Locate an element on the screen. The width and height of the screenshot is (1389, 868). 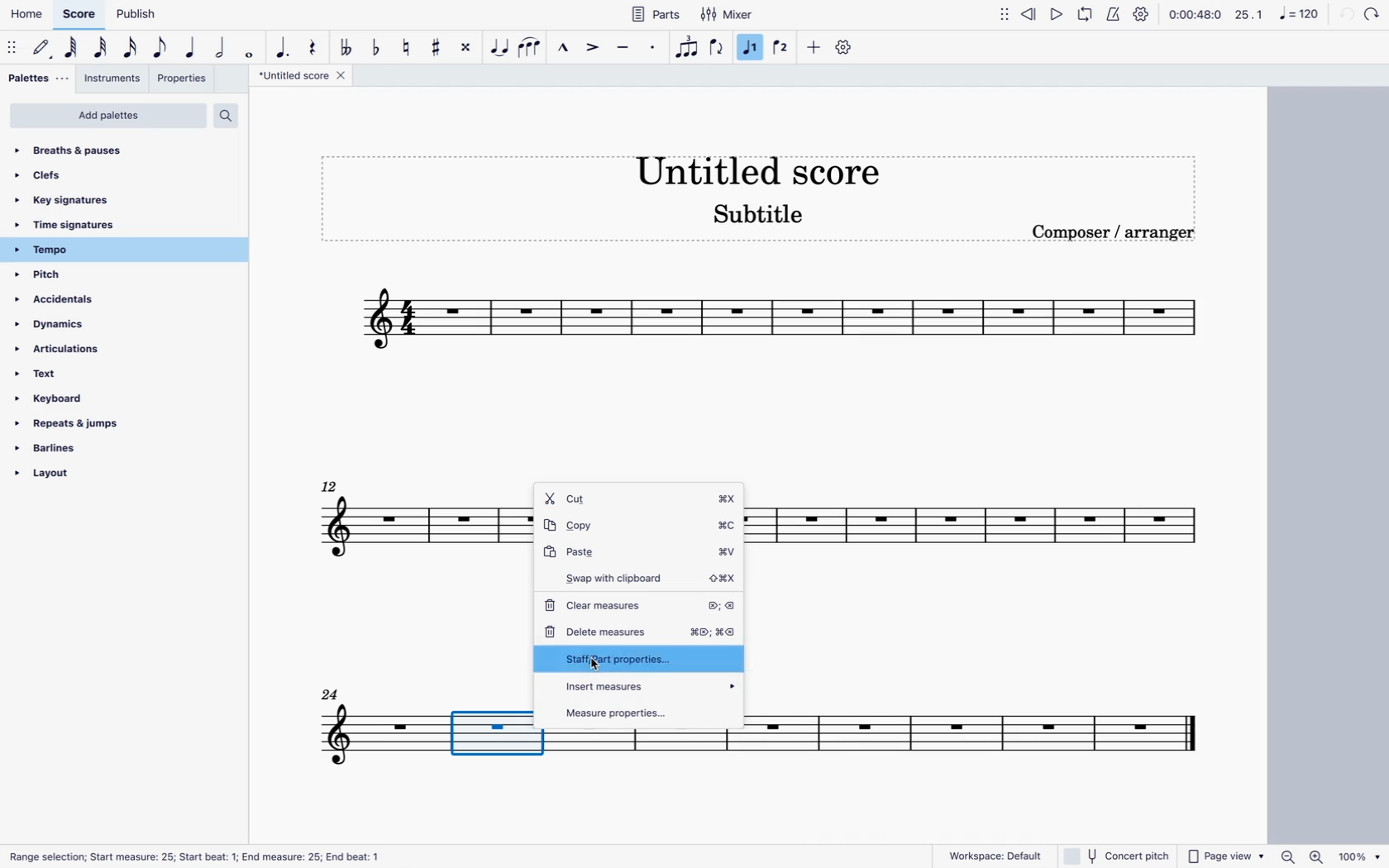
add palettes is located at coordinates (108, 117).